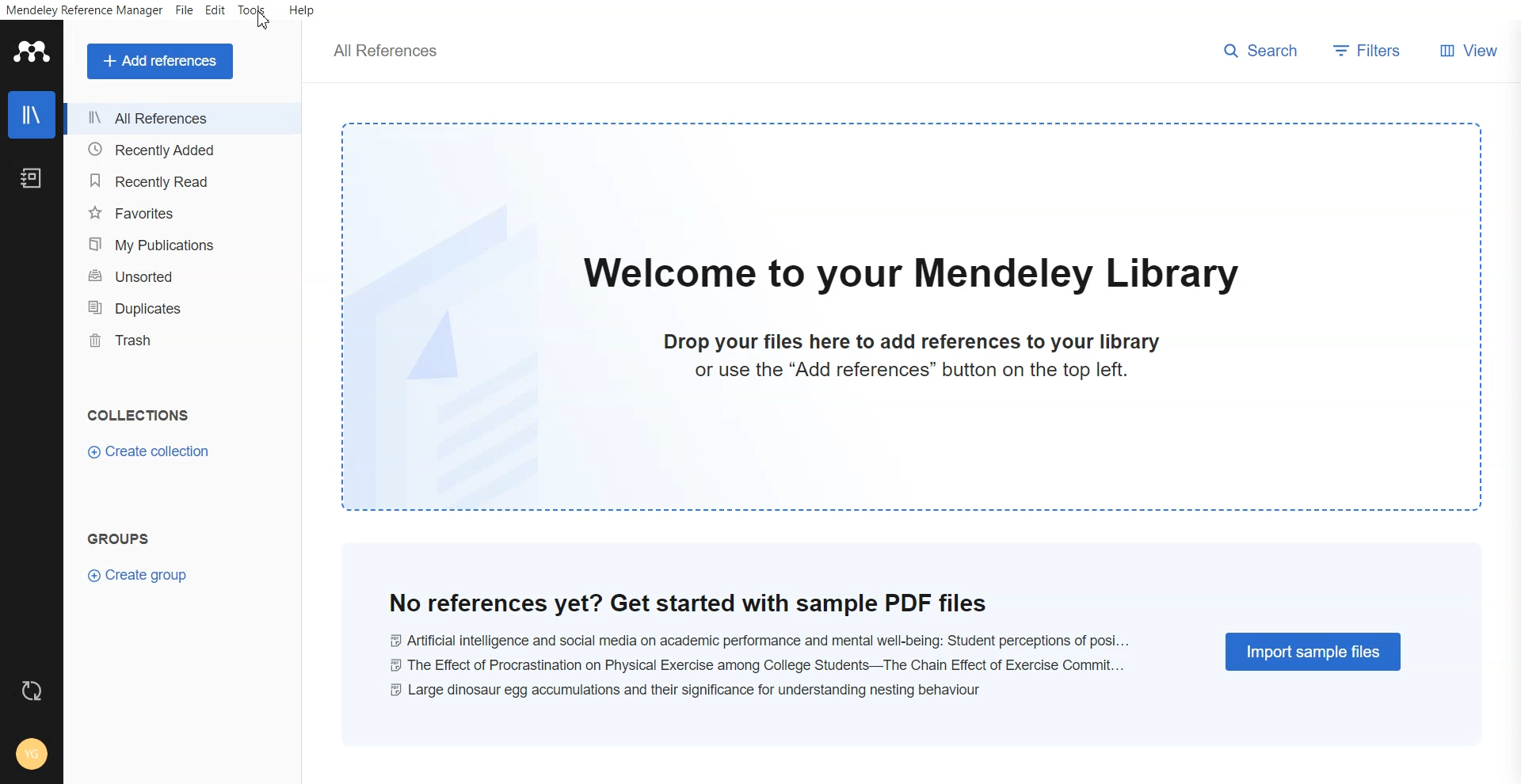 The image size is (1521, 784). I want to click on file watermark background image, so click(451, 354).